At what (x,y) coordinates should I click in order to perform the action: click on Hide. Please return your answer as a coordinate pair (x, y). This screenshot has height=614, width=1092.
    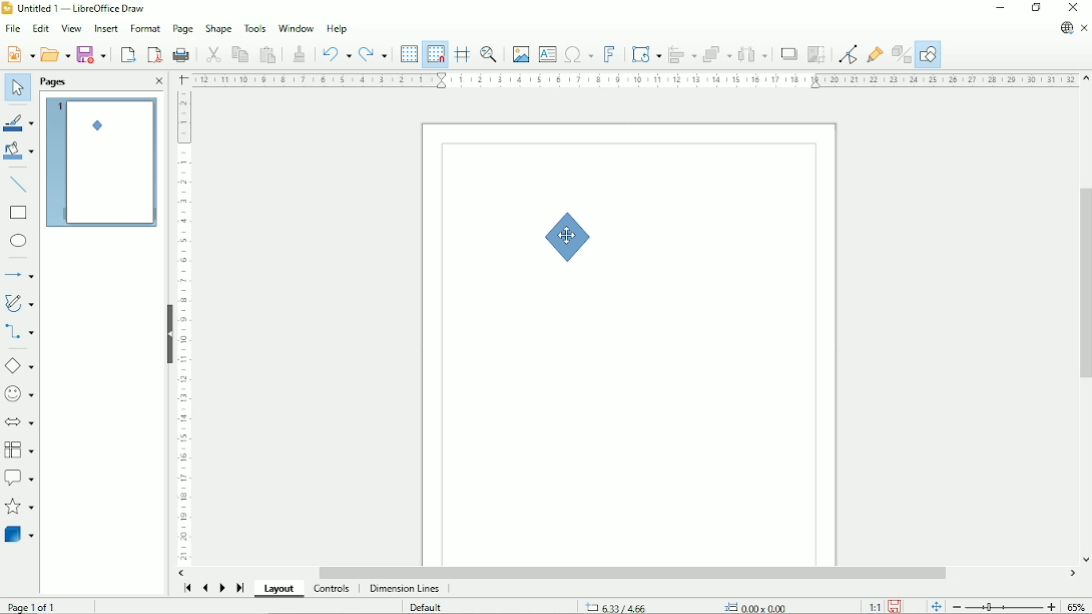
    Looking at the image, I should click on (168, 334).